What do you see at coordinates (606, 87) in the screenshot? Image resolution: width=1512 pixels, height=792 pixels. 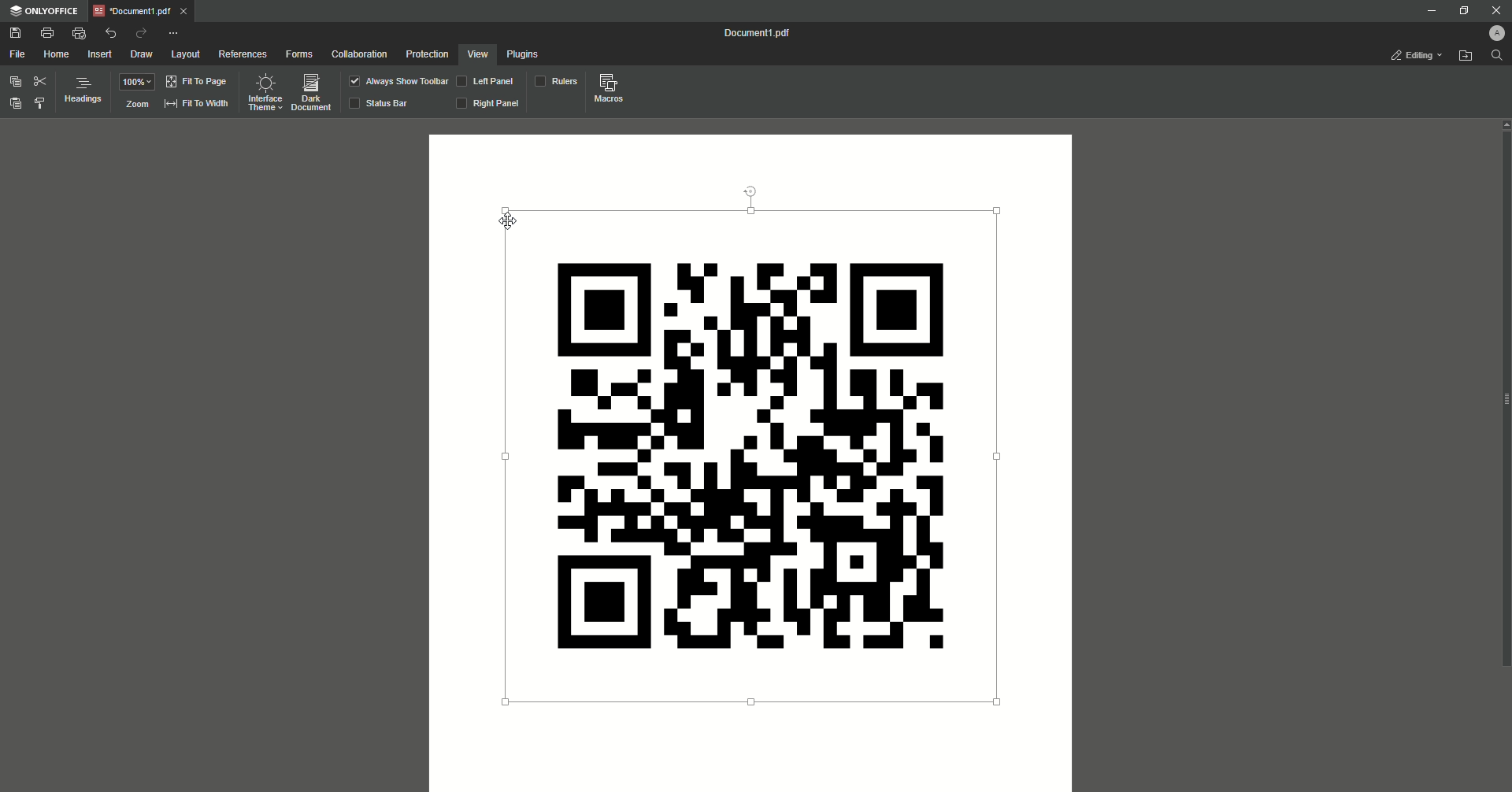 I see `Macros` at bounding box center [606, 87].